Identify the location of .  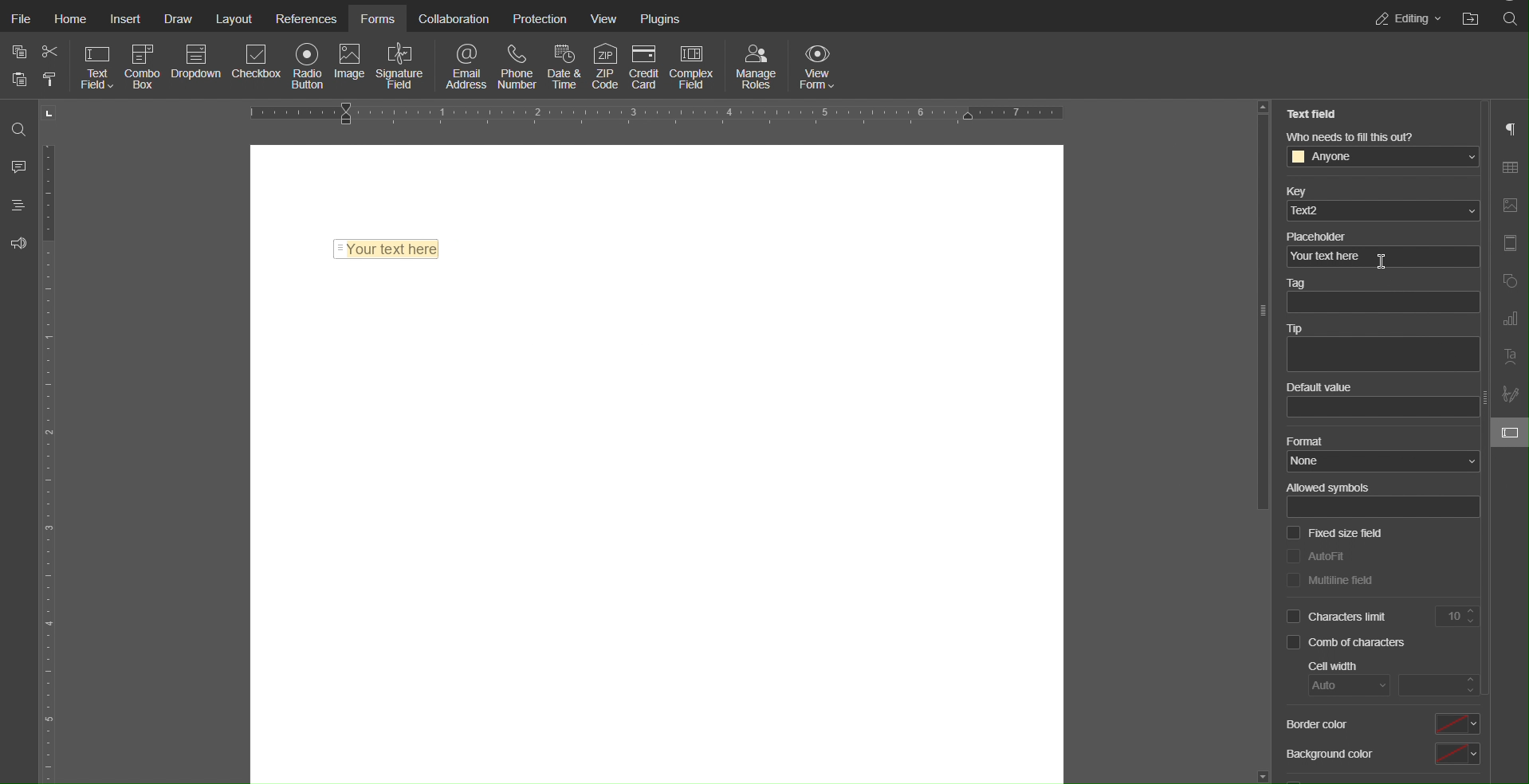
(1255, 312).